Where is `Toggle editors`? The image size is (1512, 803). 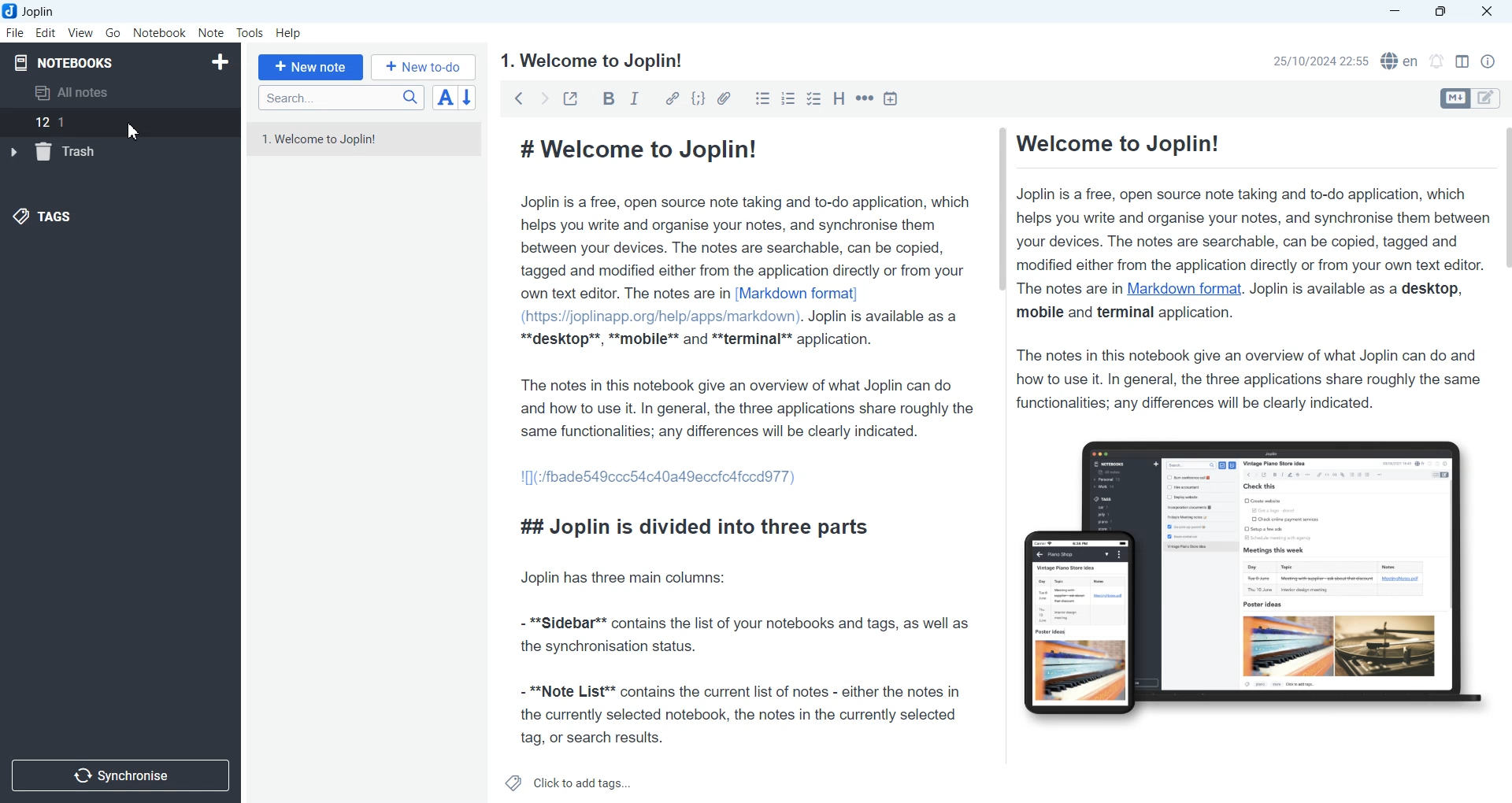
Toggle editors is located at coordinates (1493, 97).